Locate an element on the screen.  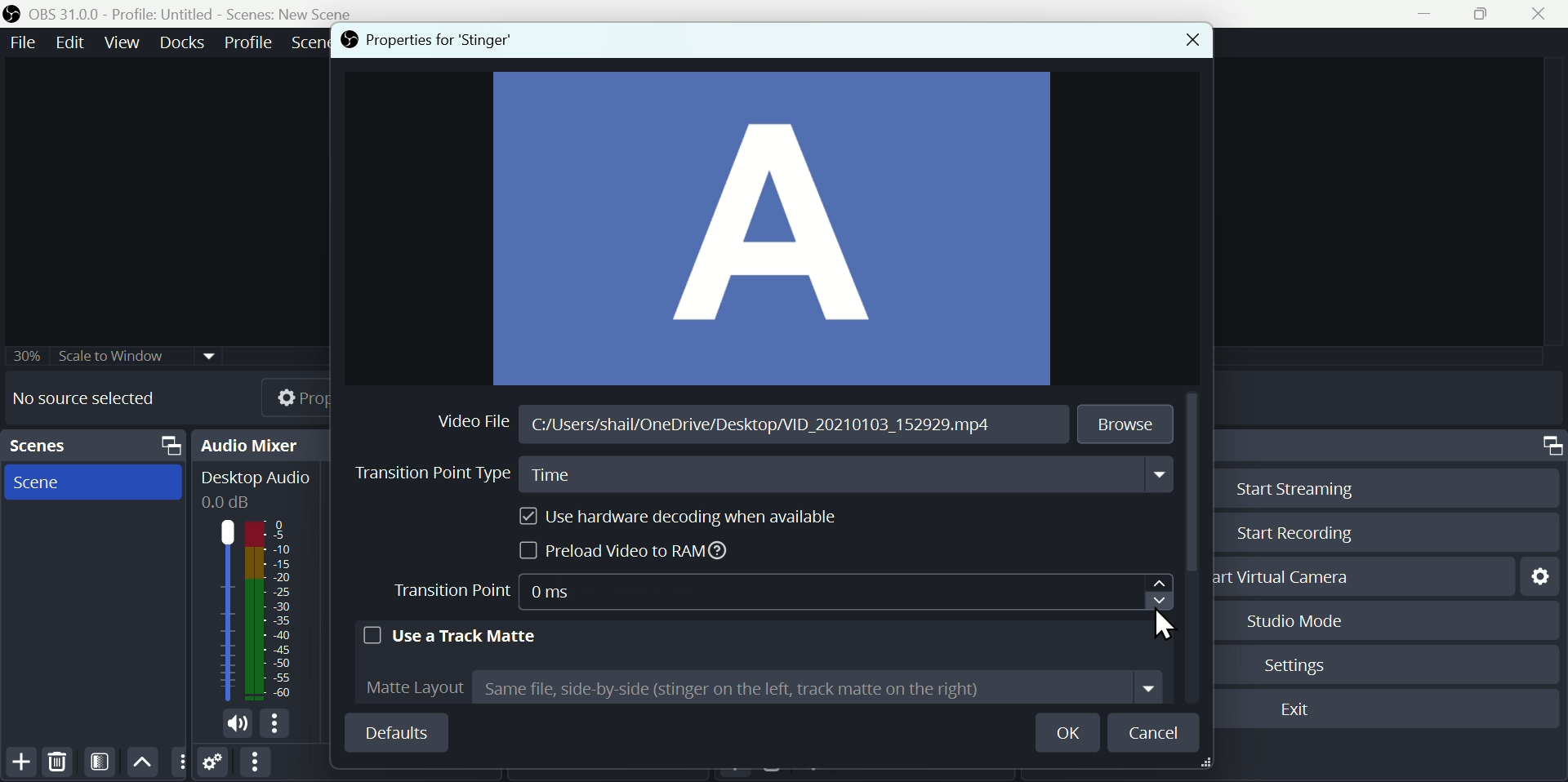
File name is located at coordinates (757, 429).